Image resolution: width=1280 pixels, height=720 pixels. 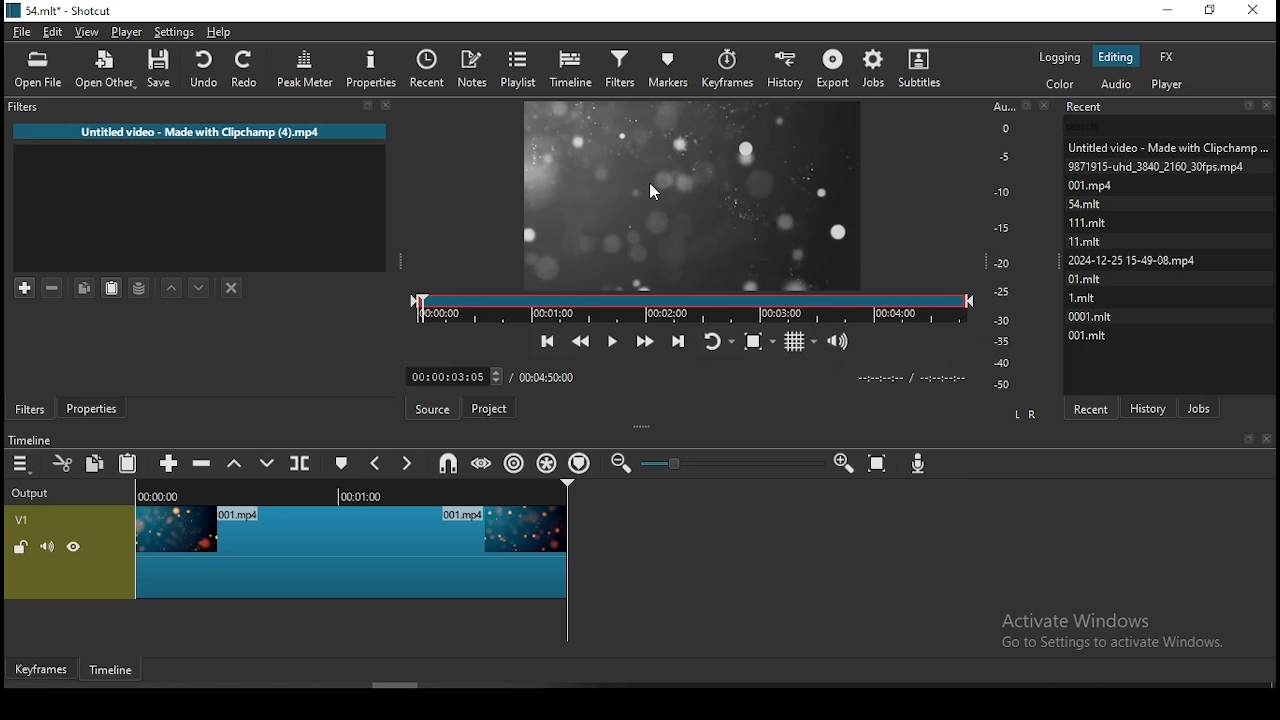 What do you see at coordinates (1156, 165) in the screenshot?
I see `files` at bounding box center [1156, 165].